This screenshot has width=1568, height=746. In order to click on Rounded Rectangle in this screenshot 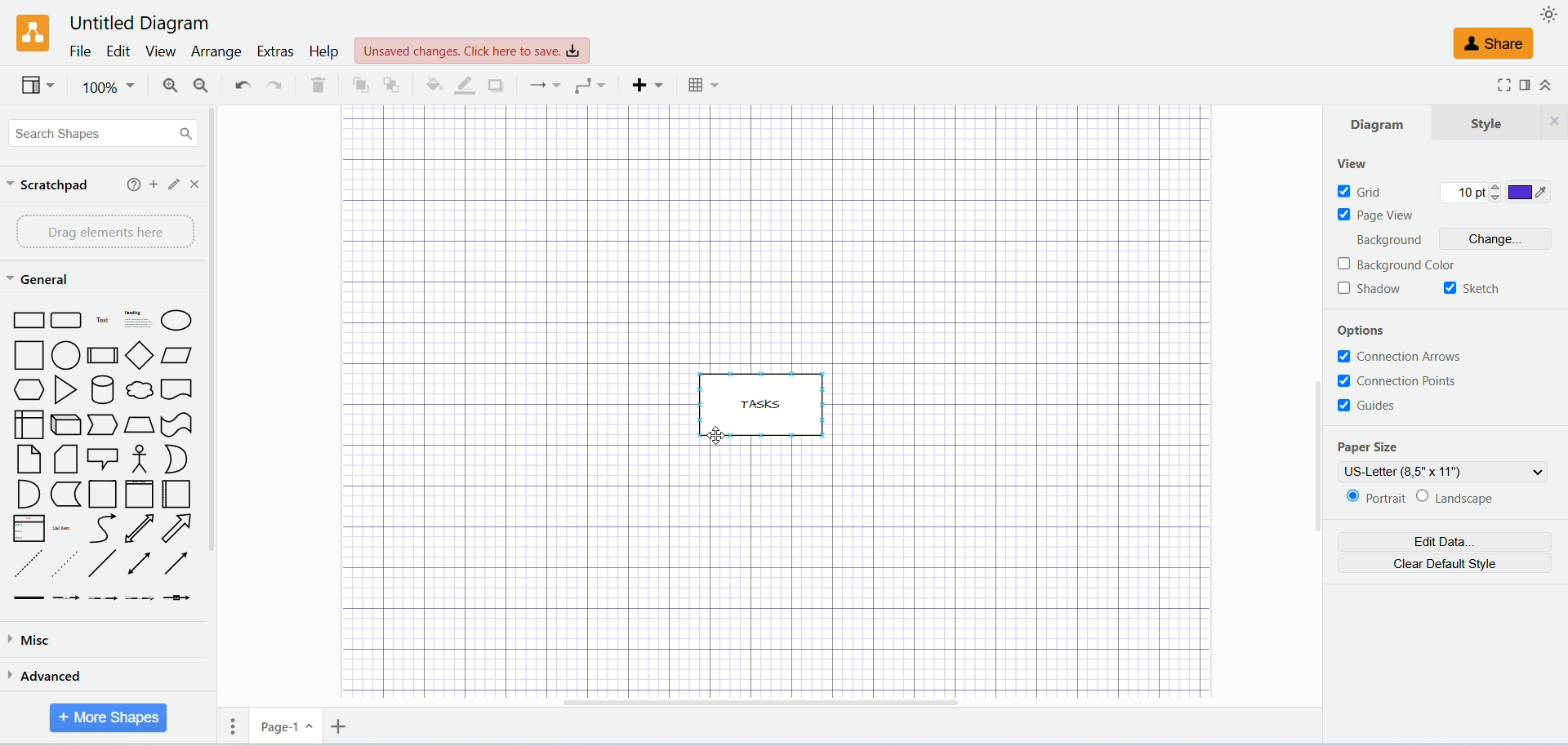, I will do `click(68, 318)`.